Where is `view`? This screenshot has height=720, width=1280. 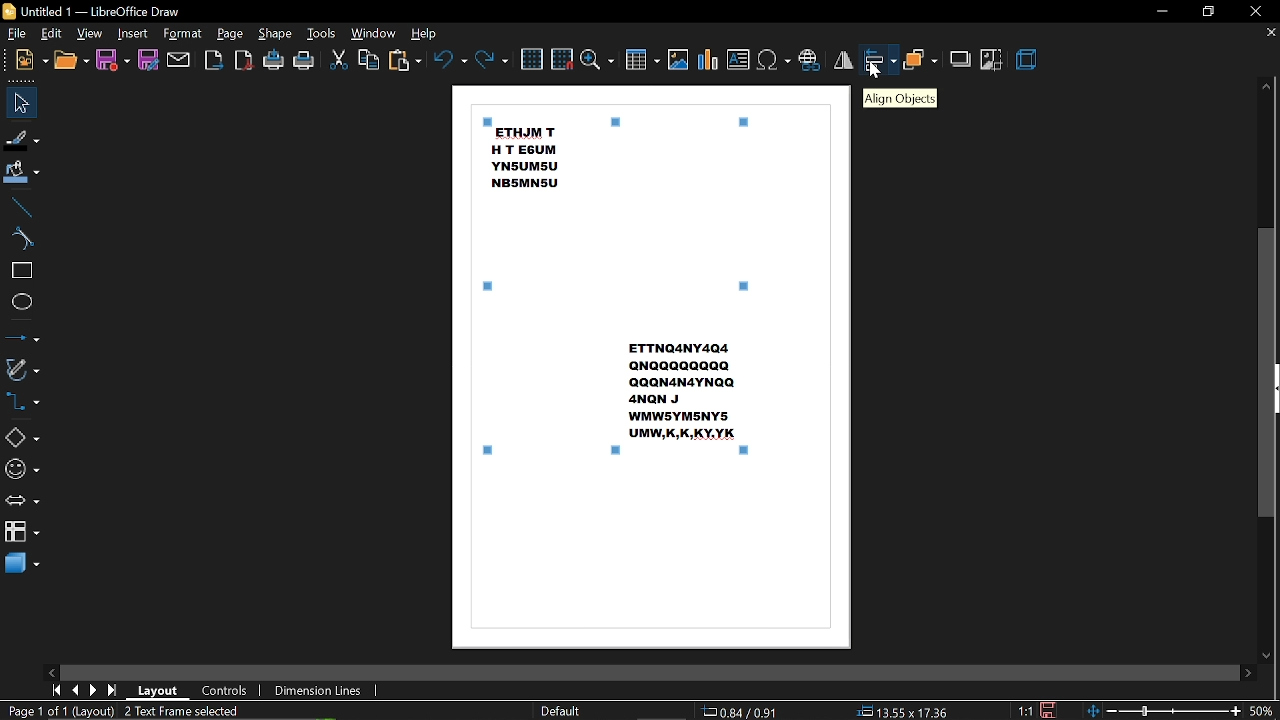 view is located at coordinates (90, 34).